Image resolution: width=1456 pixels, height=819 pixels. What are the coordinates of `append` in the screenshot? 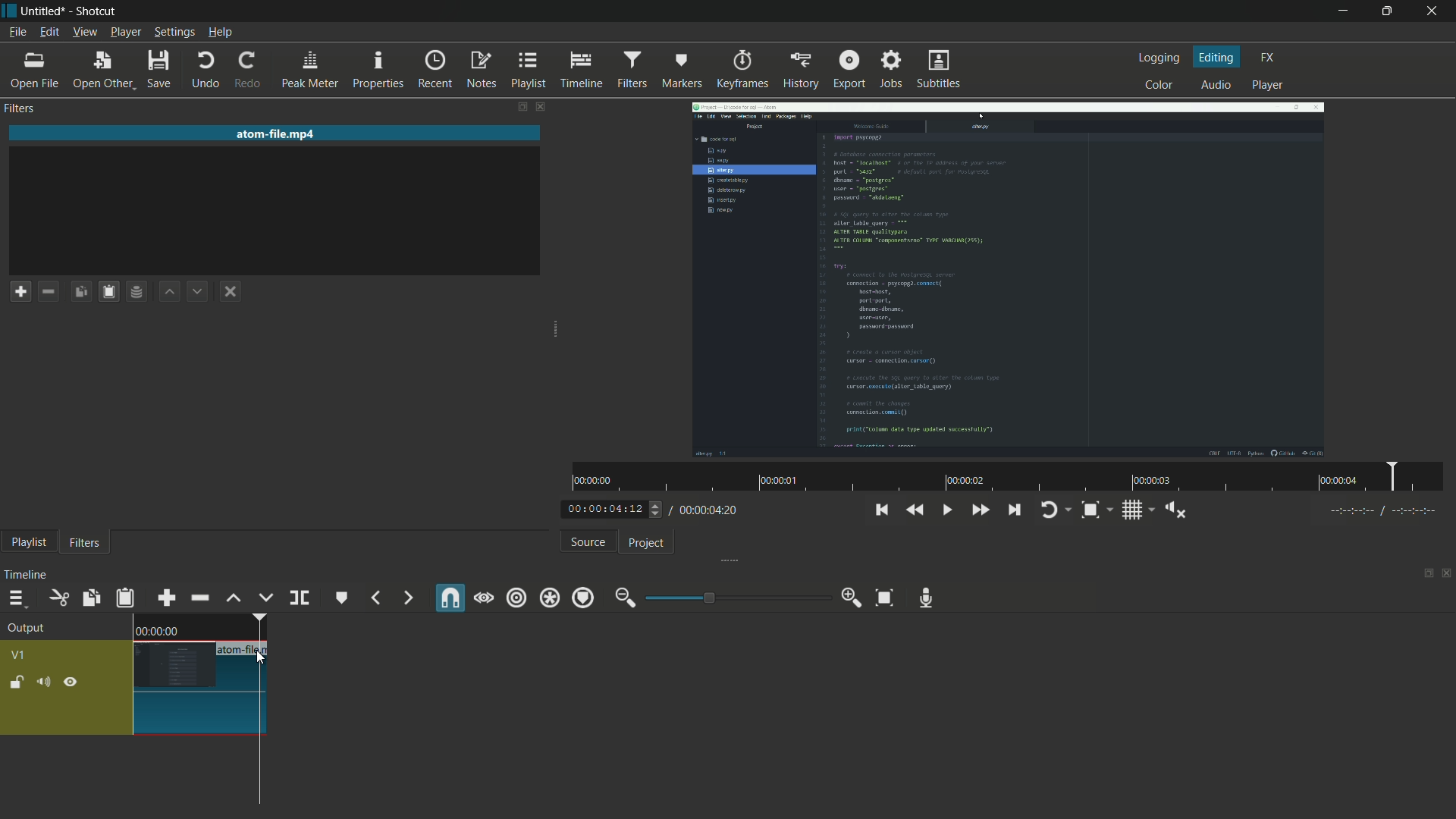 It's located at (167, 600).